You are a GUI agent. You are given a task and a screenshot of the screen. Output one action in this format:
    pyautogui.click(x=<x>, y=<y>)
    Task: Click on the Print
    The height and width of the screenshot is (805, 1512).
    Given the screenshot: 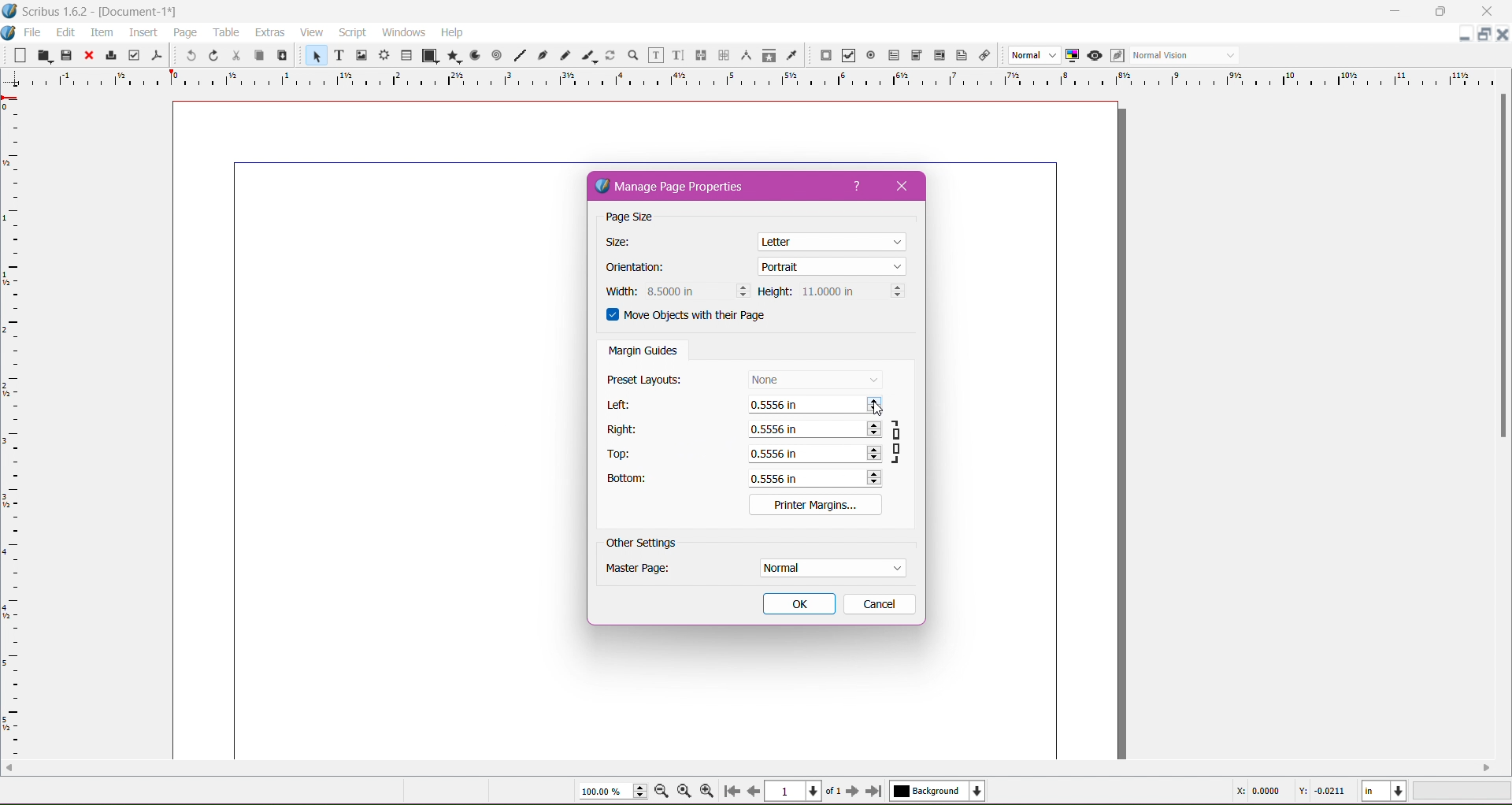 What is the action you would take?
    pyautogui.click(x=110, y=55)
    